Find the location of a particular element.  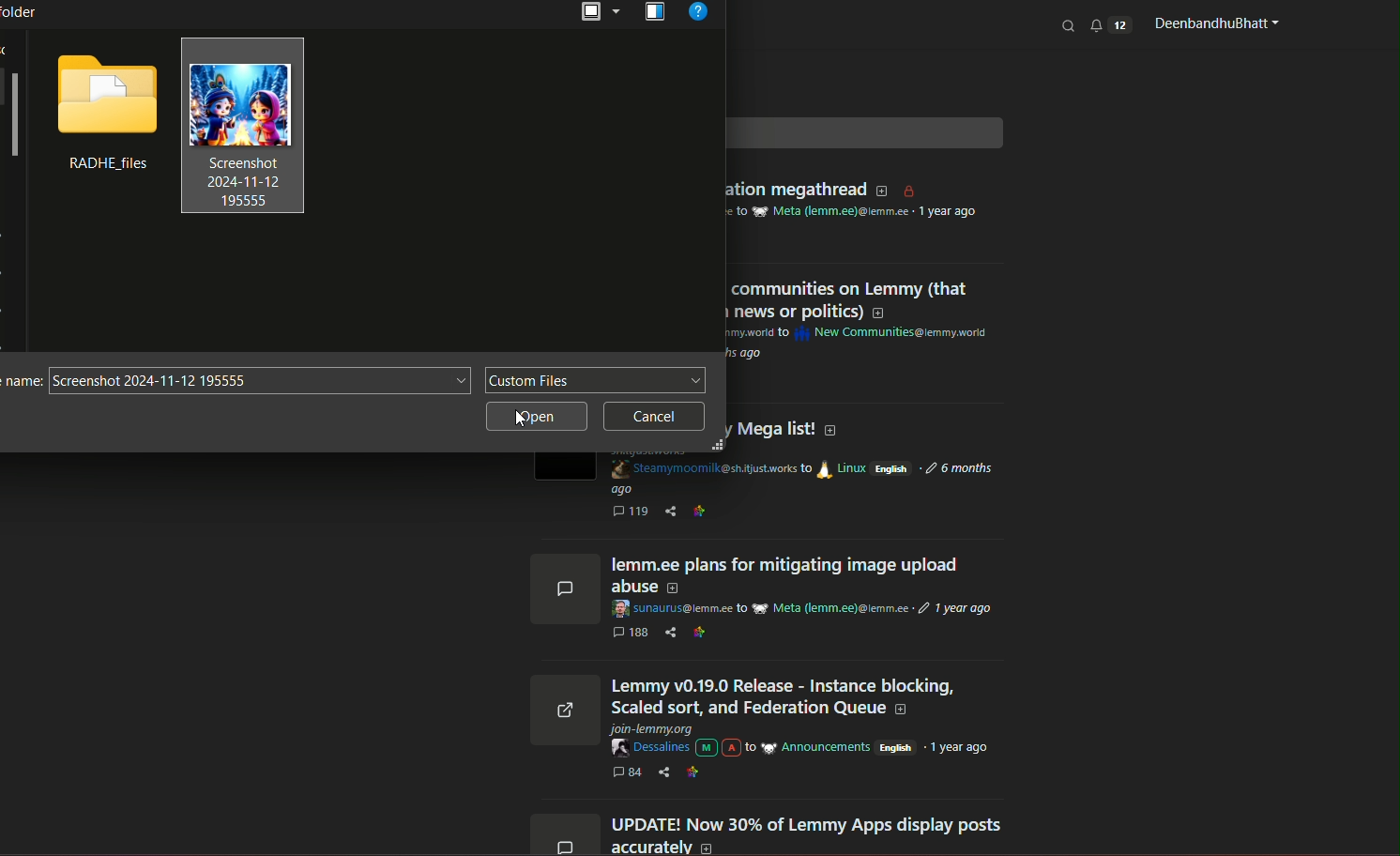

notification is located at coordinates (1110, 24).